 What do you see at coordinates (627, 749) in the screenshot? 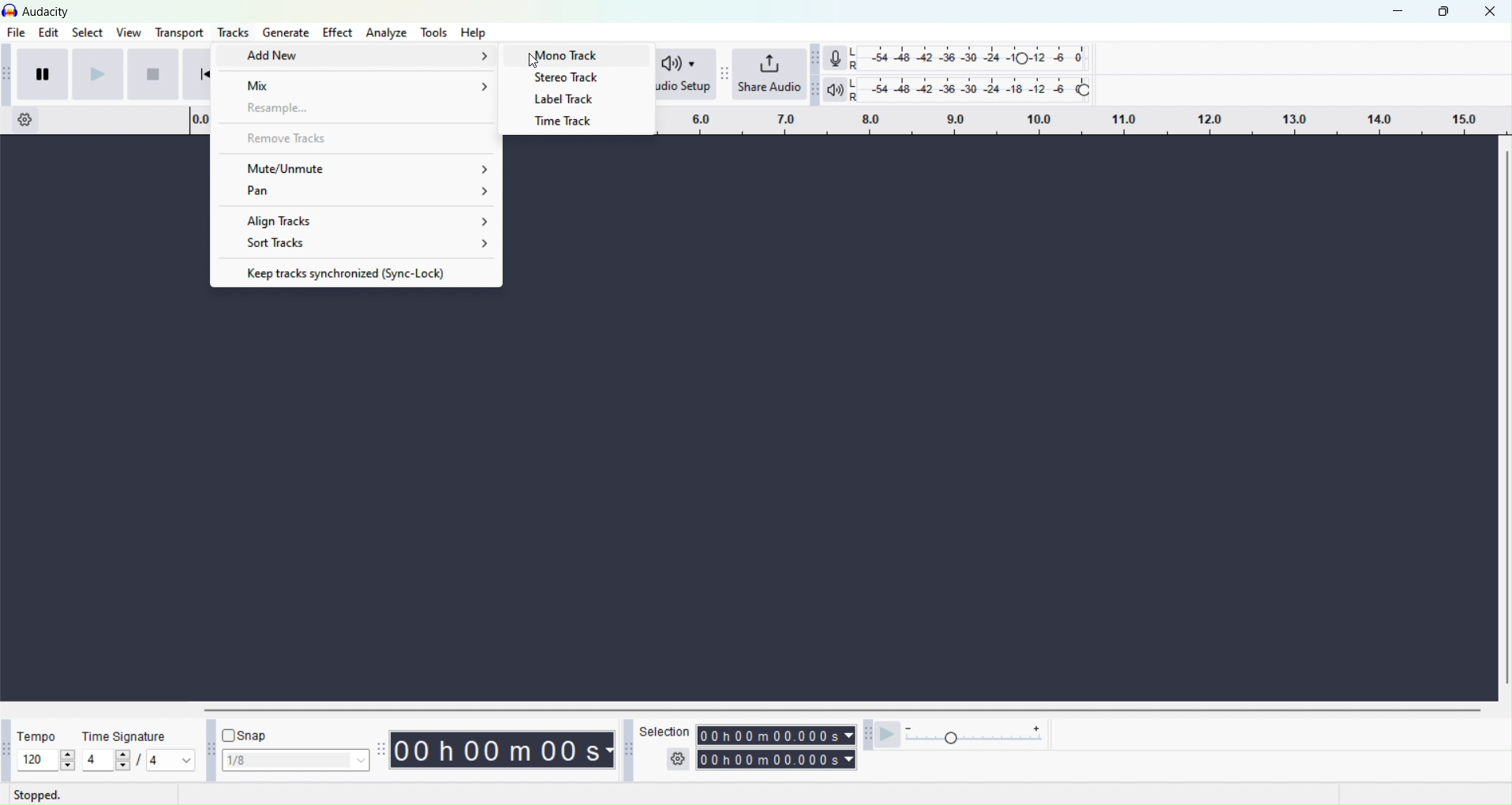
I see `Audacity selection toolbar` at bounding box center [627, 749].